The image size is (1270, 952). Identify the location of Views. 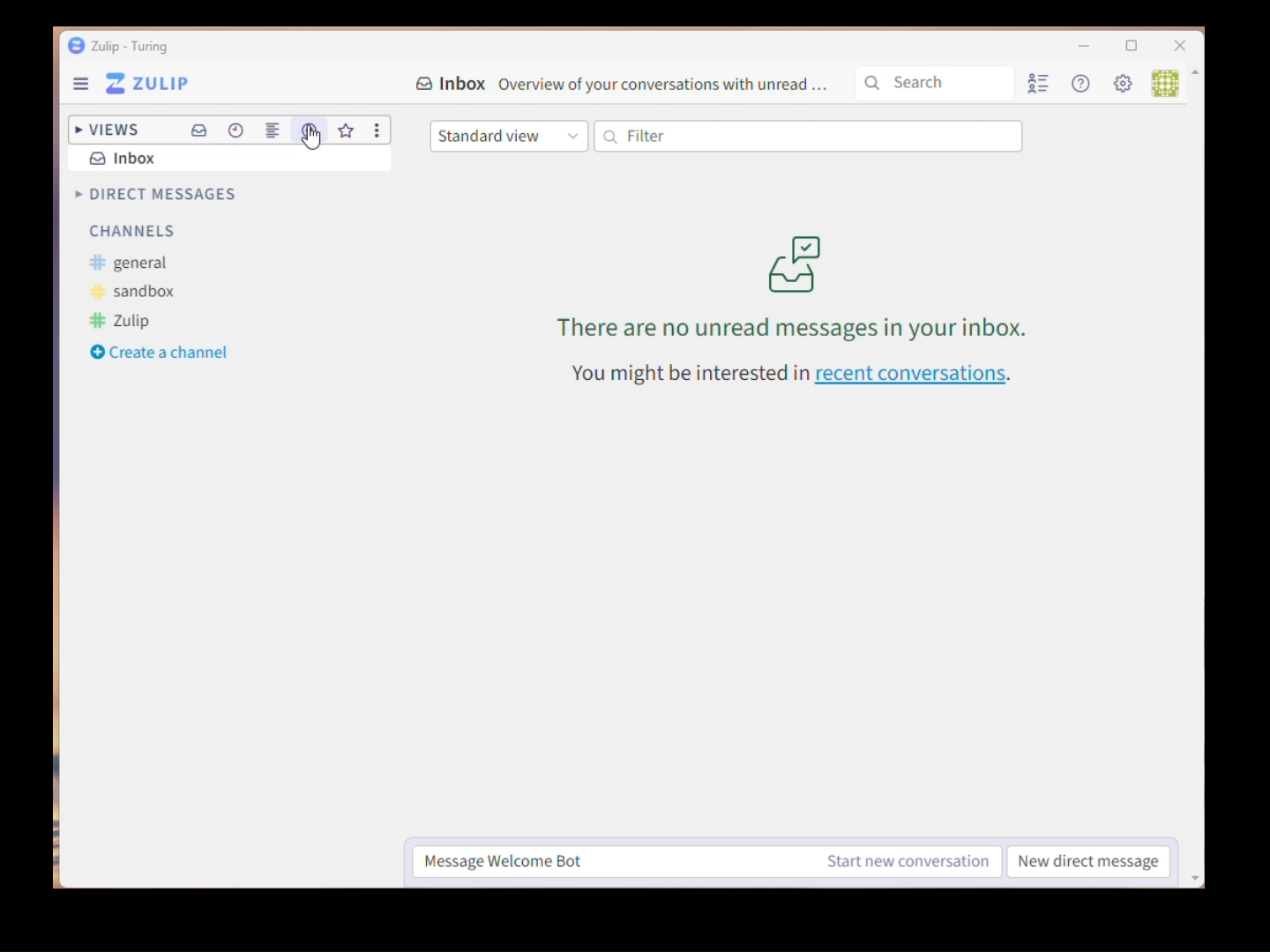
(104, 126).